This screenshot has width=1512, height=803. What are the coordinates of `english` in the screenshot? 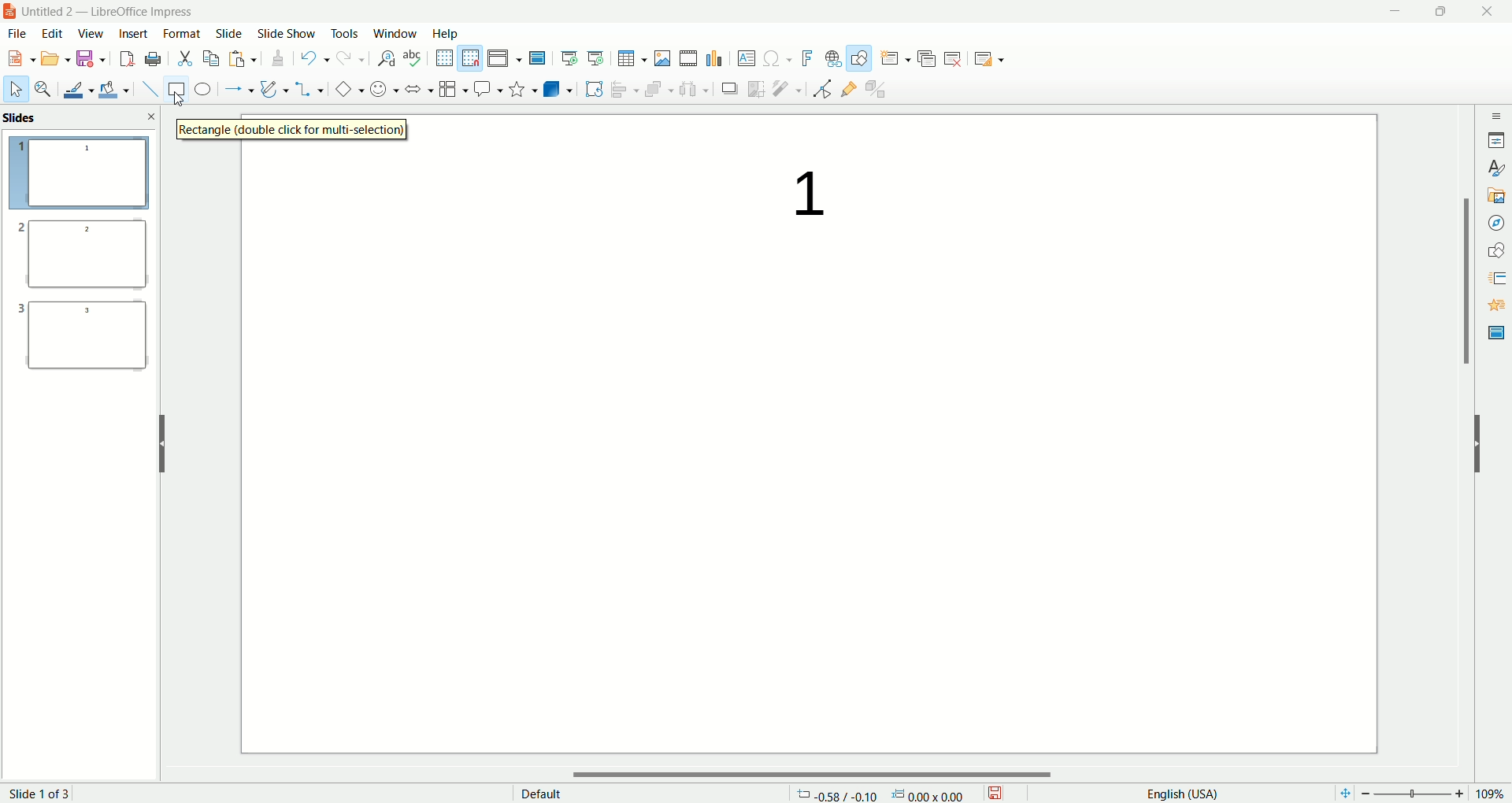 It's located at (1180, 793).